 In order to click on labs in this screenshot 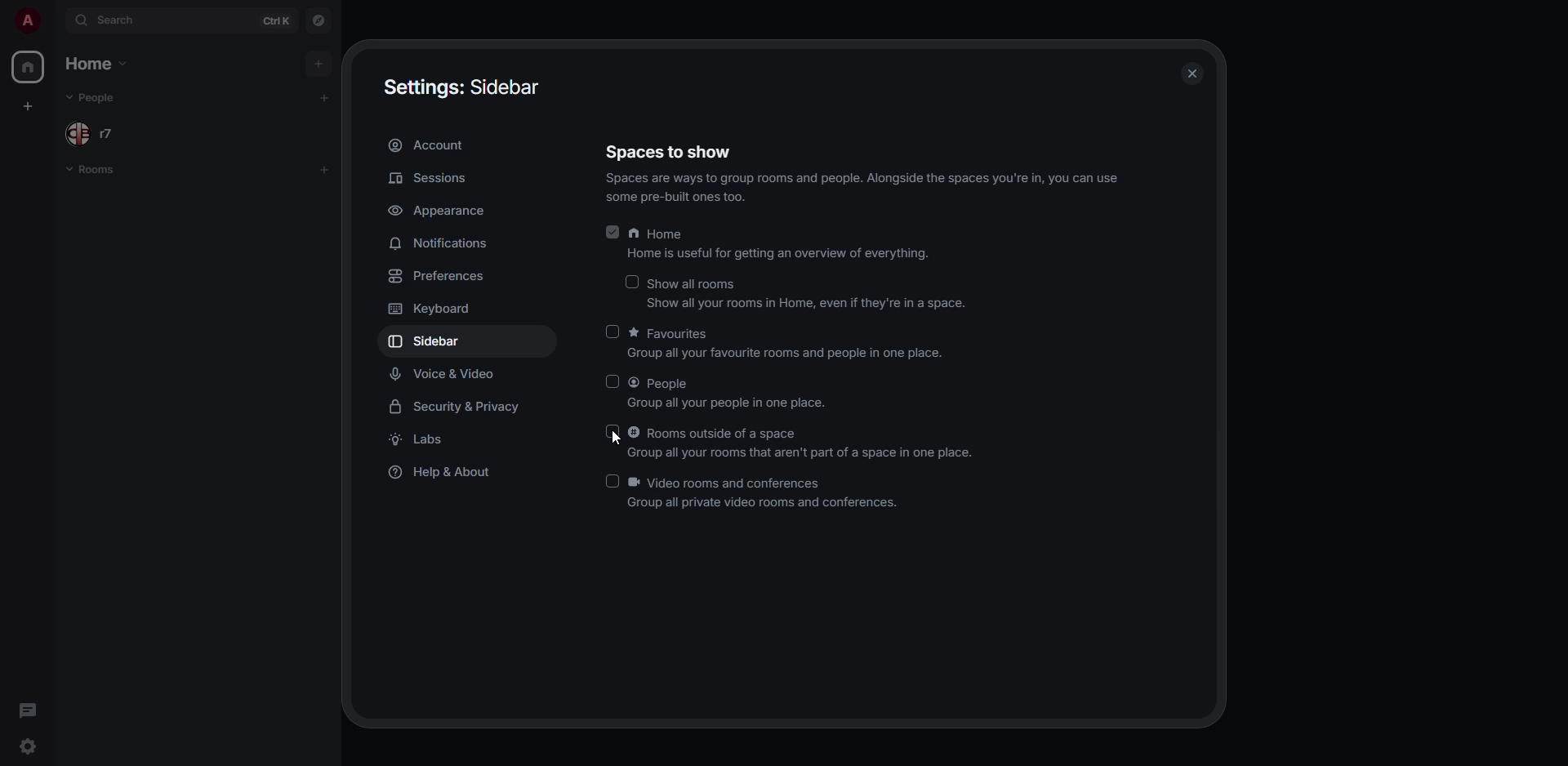, I will do `click(426, 441)`.